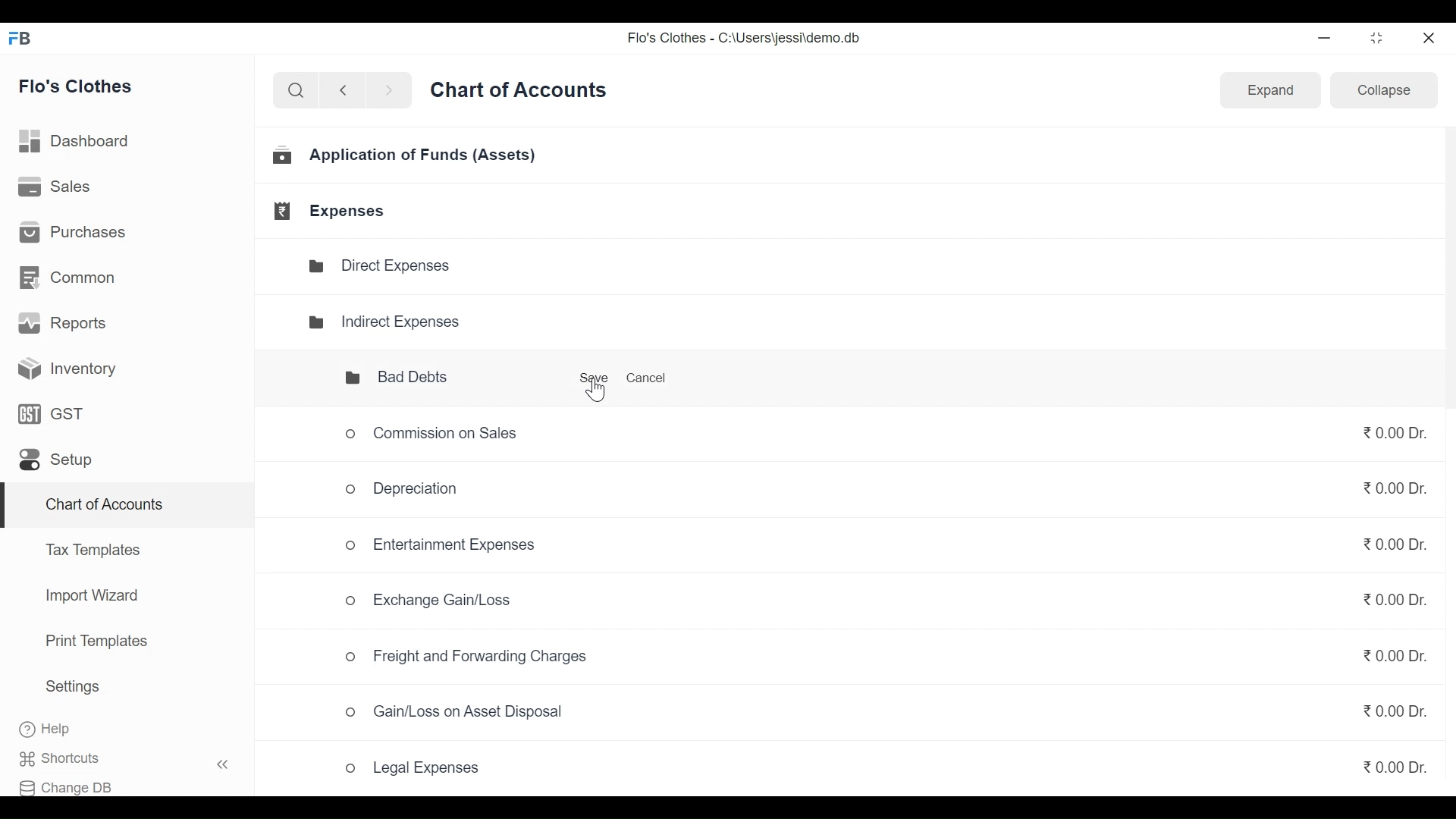  I want to click on Exchange Gain/Loss, so click(436, 601).